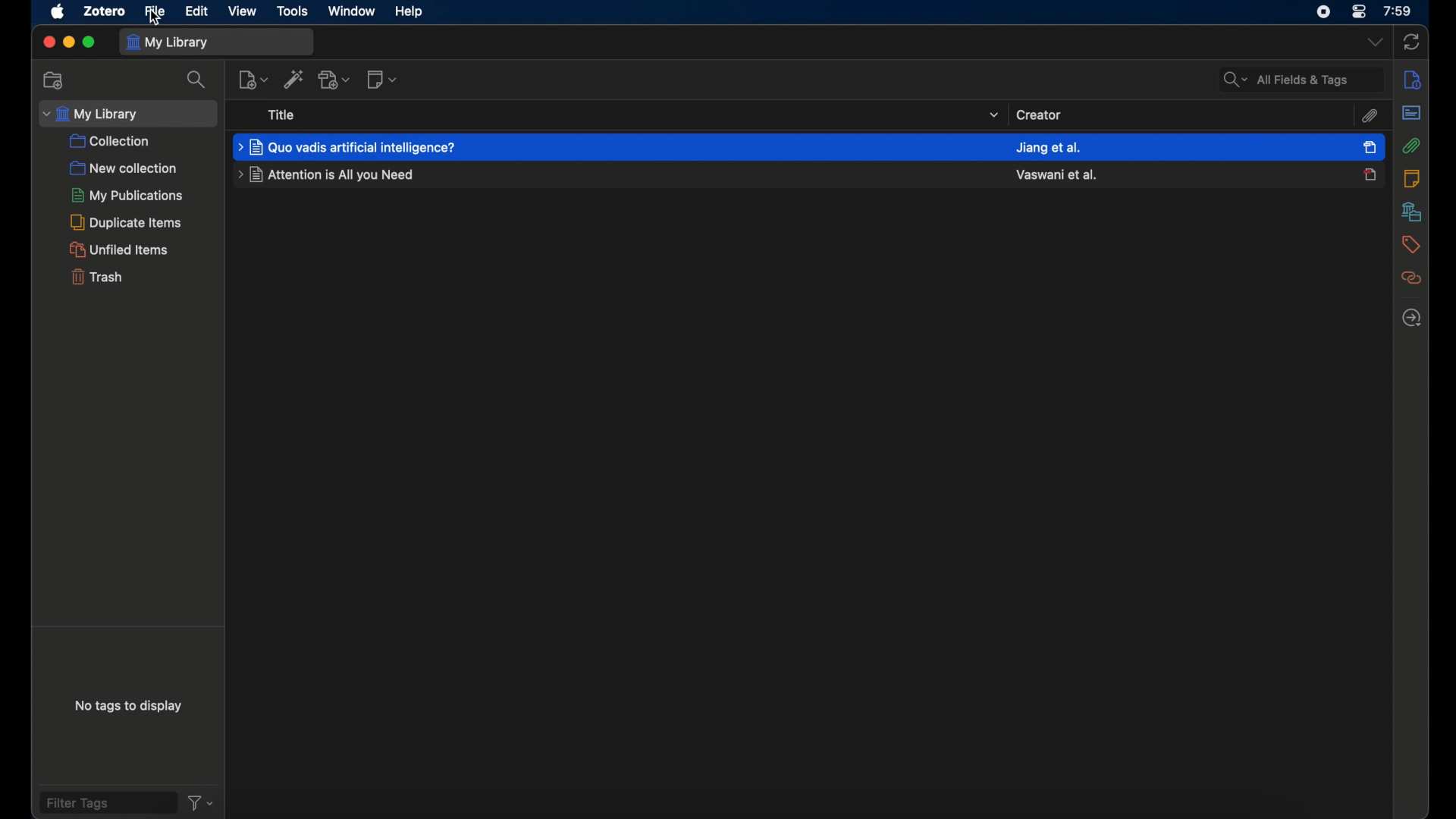 The height and width of the screenshot is (819, 1456). What do you see at coordinates (48, 42) in the screenshot?
I see `close` at bounding box center [48, 42].